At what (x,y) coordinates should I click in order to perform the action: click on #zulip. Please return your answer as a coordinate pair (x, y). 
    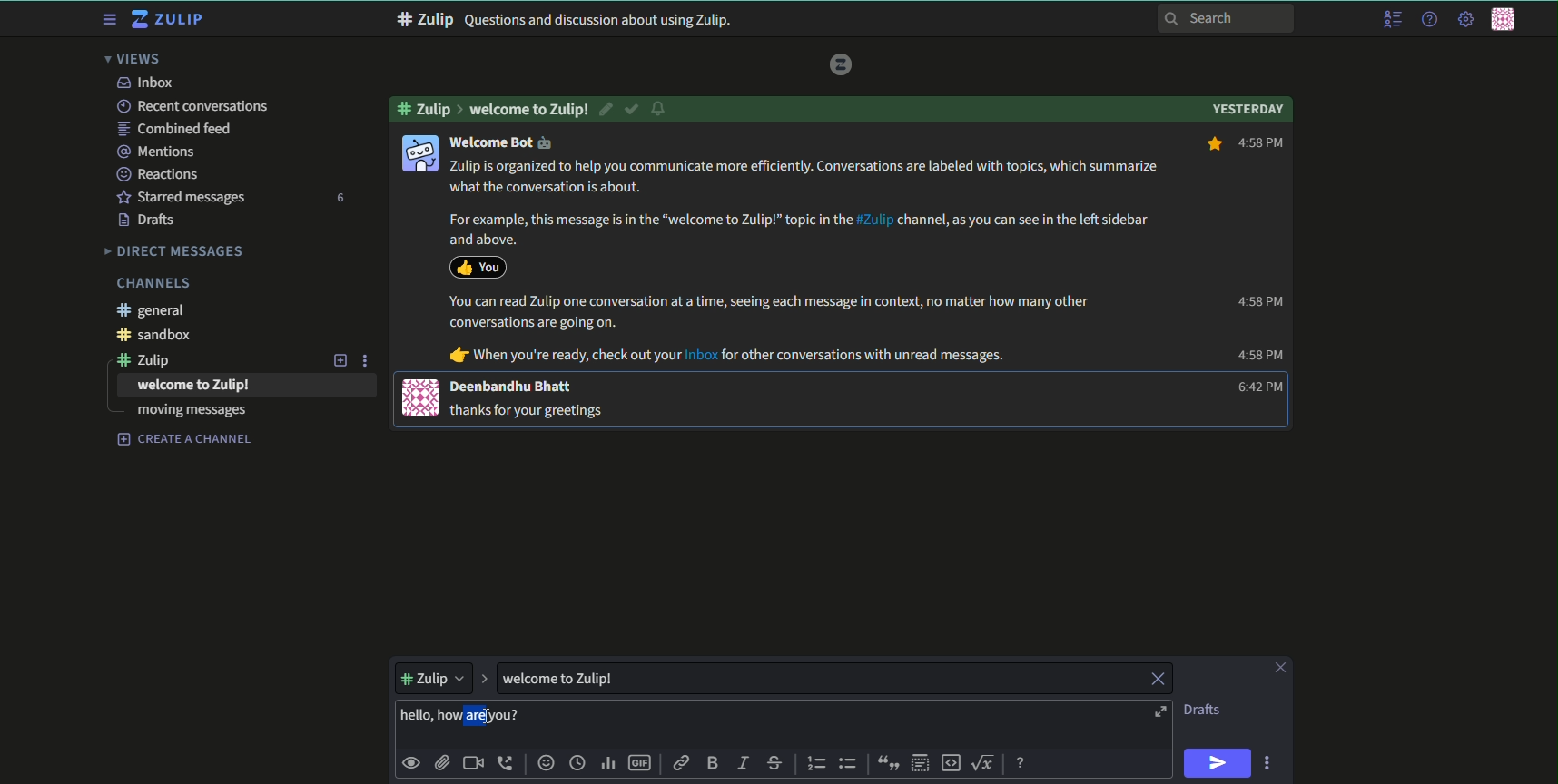
    Looking at the image, I should click on (428, 107).